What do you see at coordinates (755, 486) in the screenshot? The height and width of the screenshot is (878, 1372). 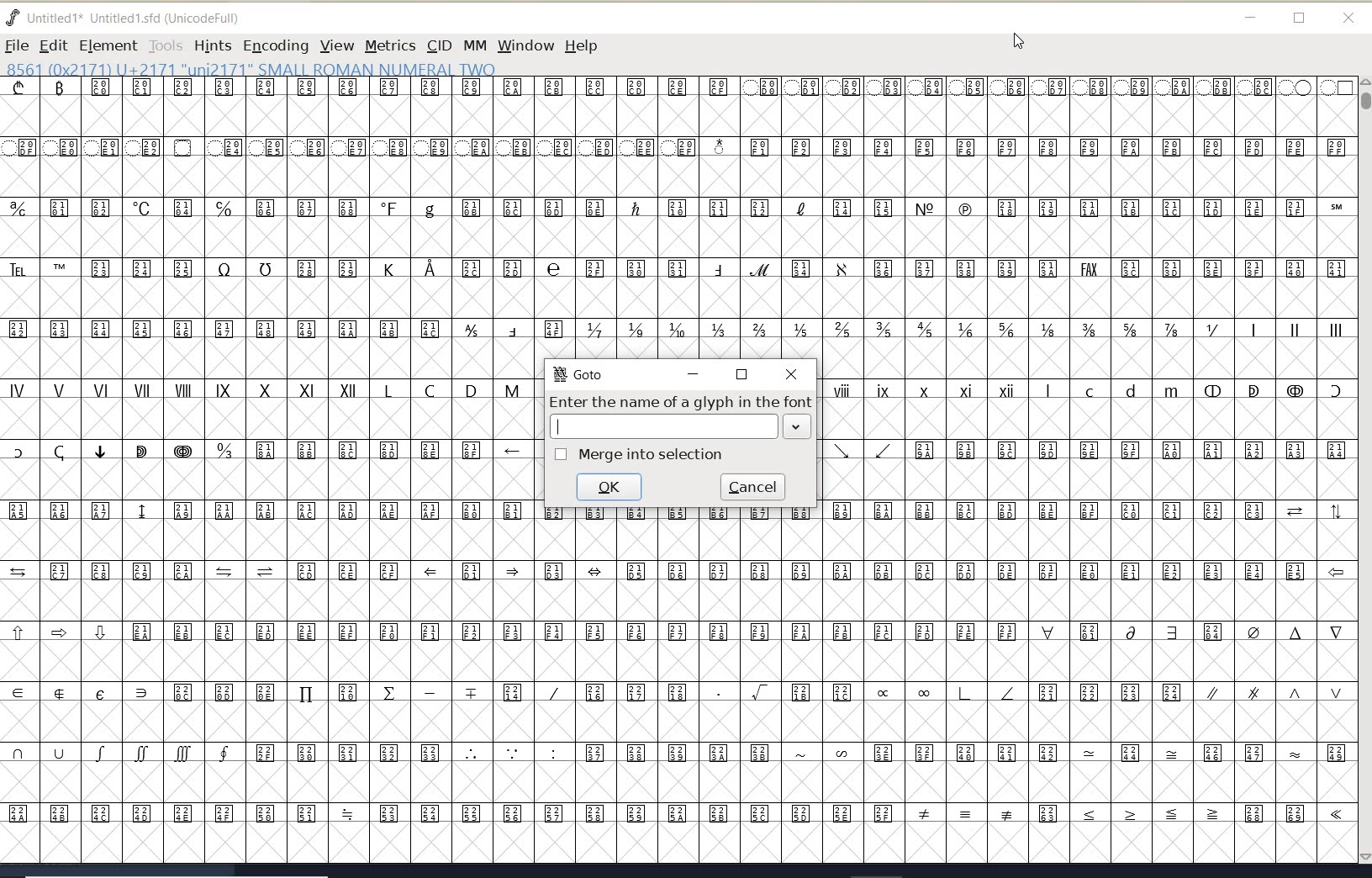 I see `cancel` at bounding box center [755, 486].